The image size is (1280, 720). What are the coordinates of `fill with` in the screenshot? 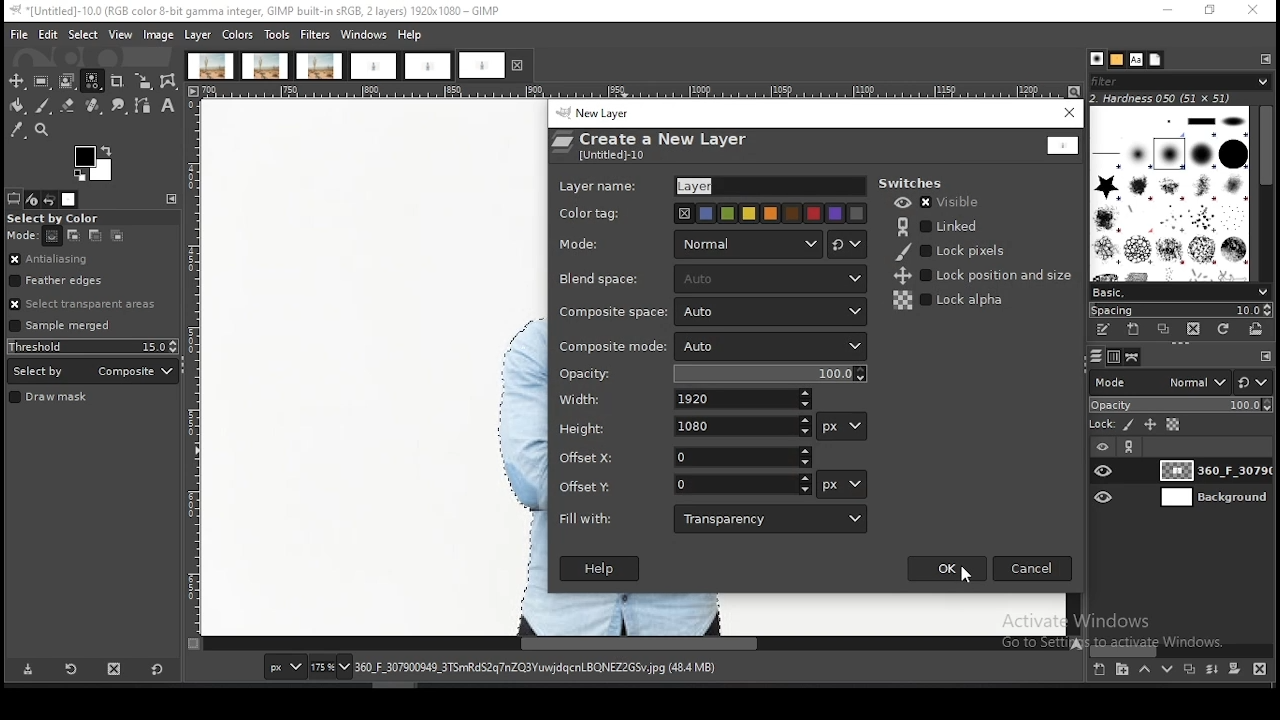 It's located at (585, 519).